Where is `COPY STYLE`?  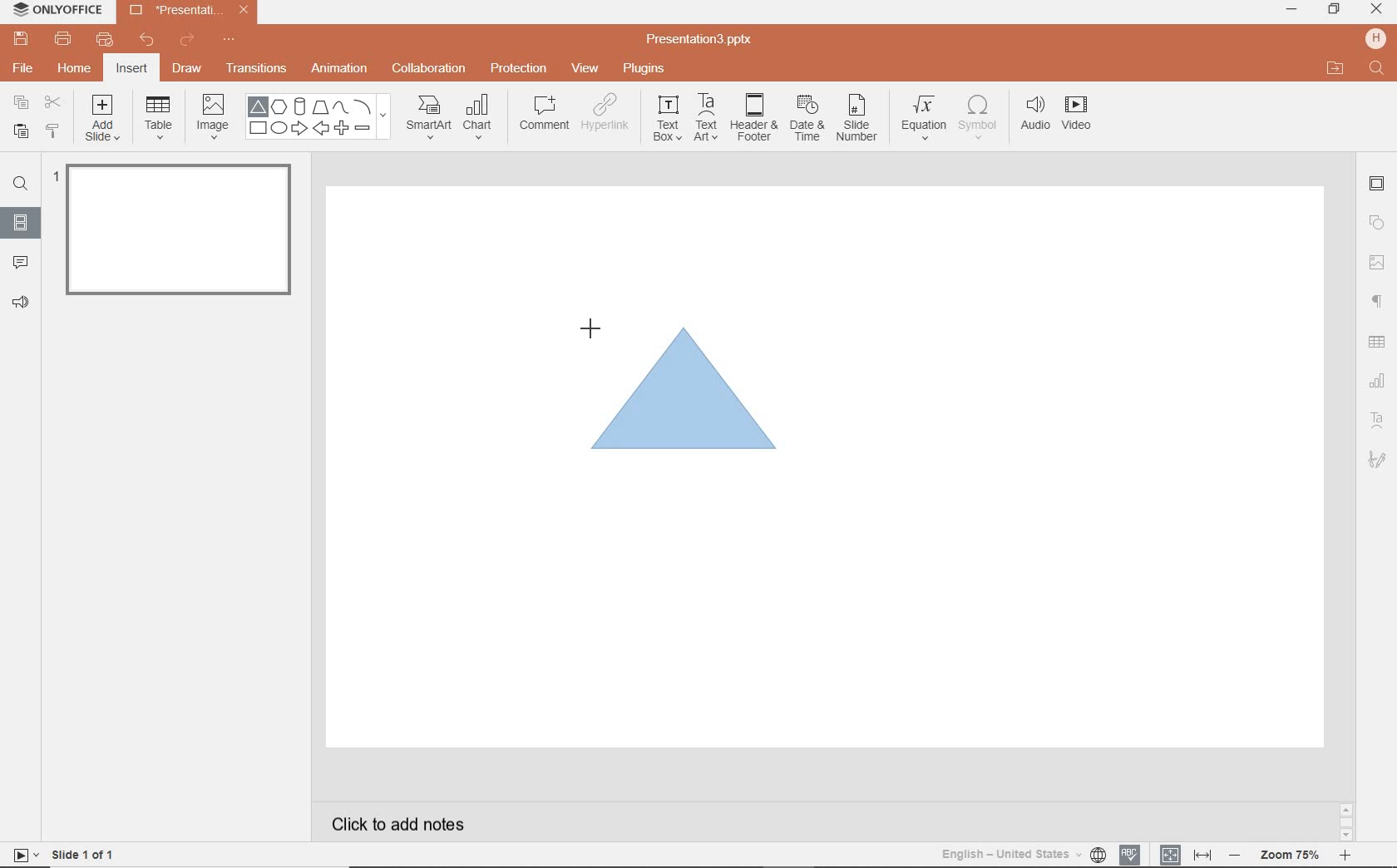 COPY STYLE is located at coordinates (54, 131).